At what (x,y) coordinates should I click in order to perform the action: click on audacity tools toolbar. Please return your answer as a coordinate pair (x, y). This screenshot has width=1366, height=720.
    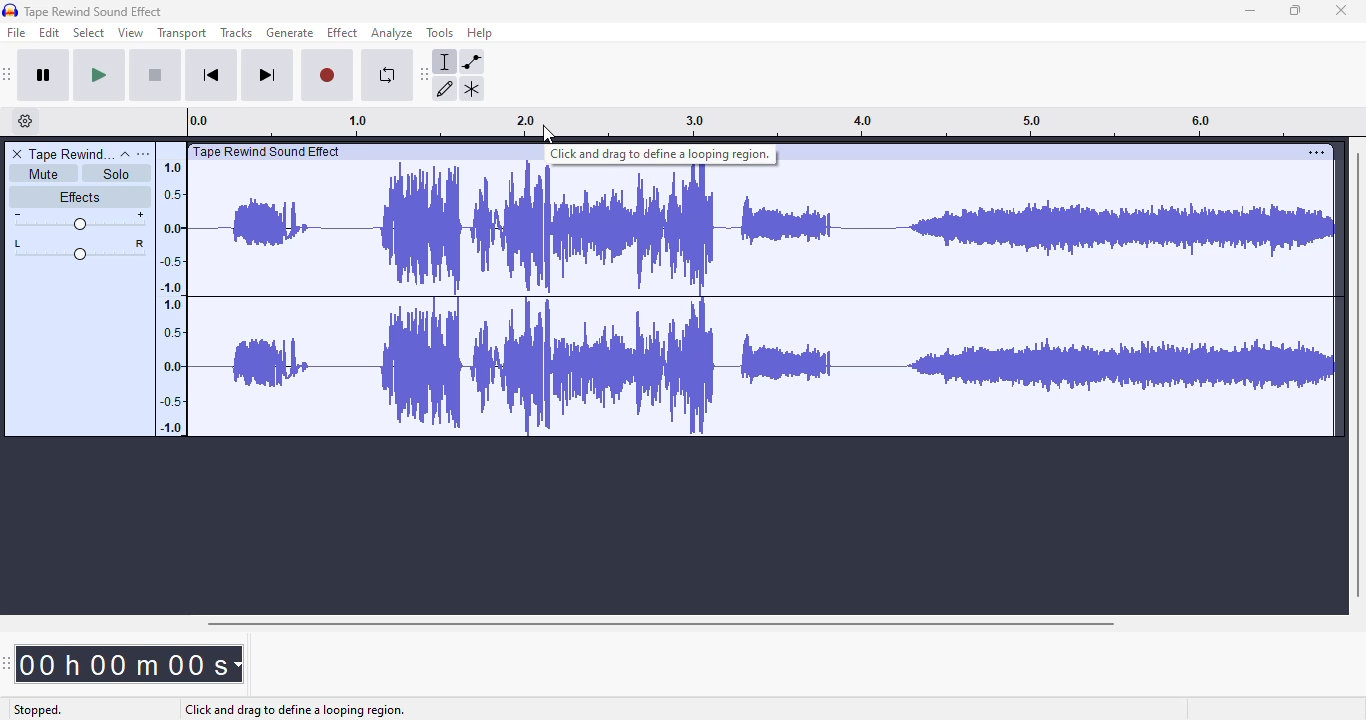
    Looking at the image, I should click on (425, 73).